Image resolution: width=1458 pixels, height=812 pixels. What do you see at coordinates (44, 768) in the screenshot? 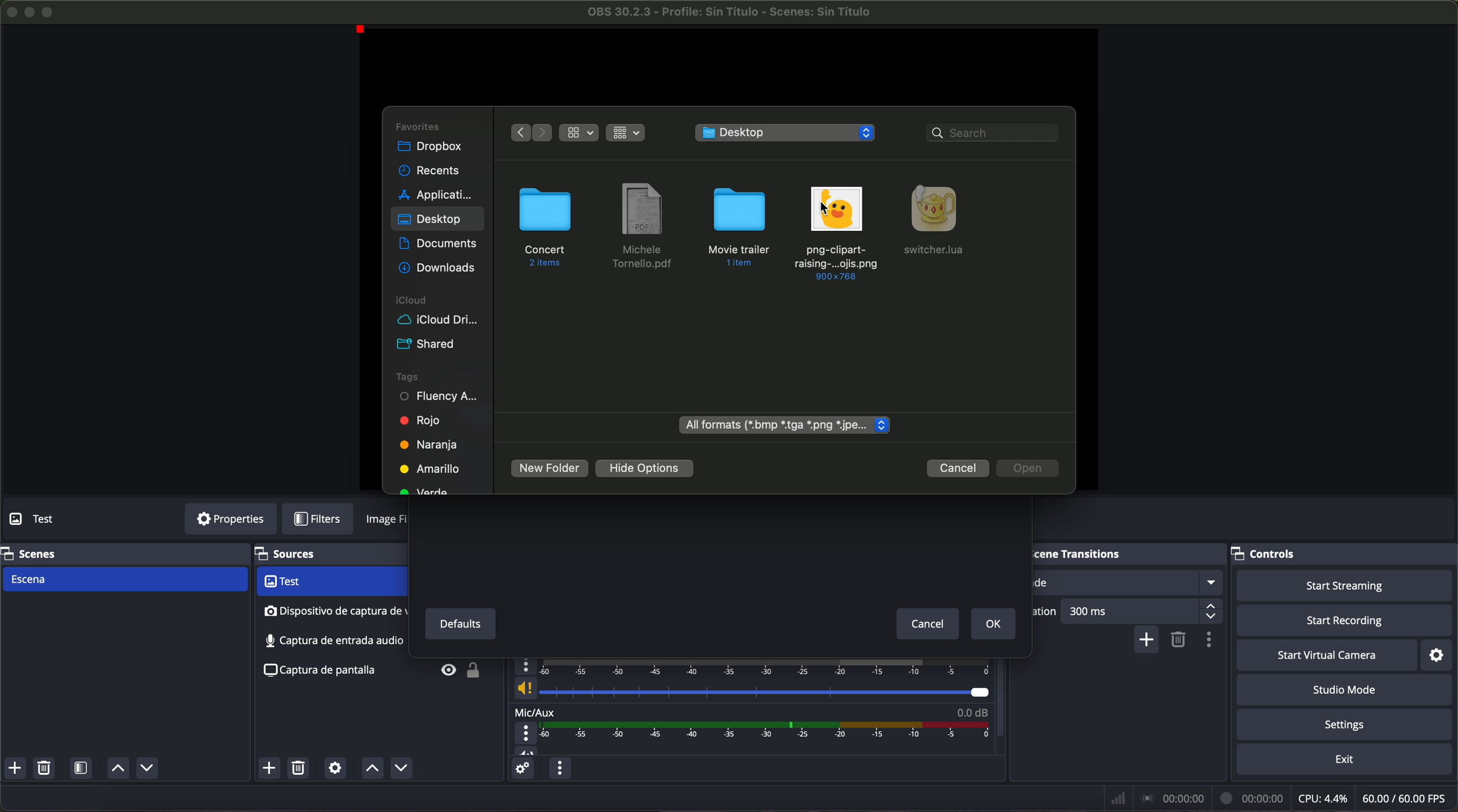
I see `remove selected scene` at bounding box center [44, 768].